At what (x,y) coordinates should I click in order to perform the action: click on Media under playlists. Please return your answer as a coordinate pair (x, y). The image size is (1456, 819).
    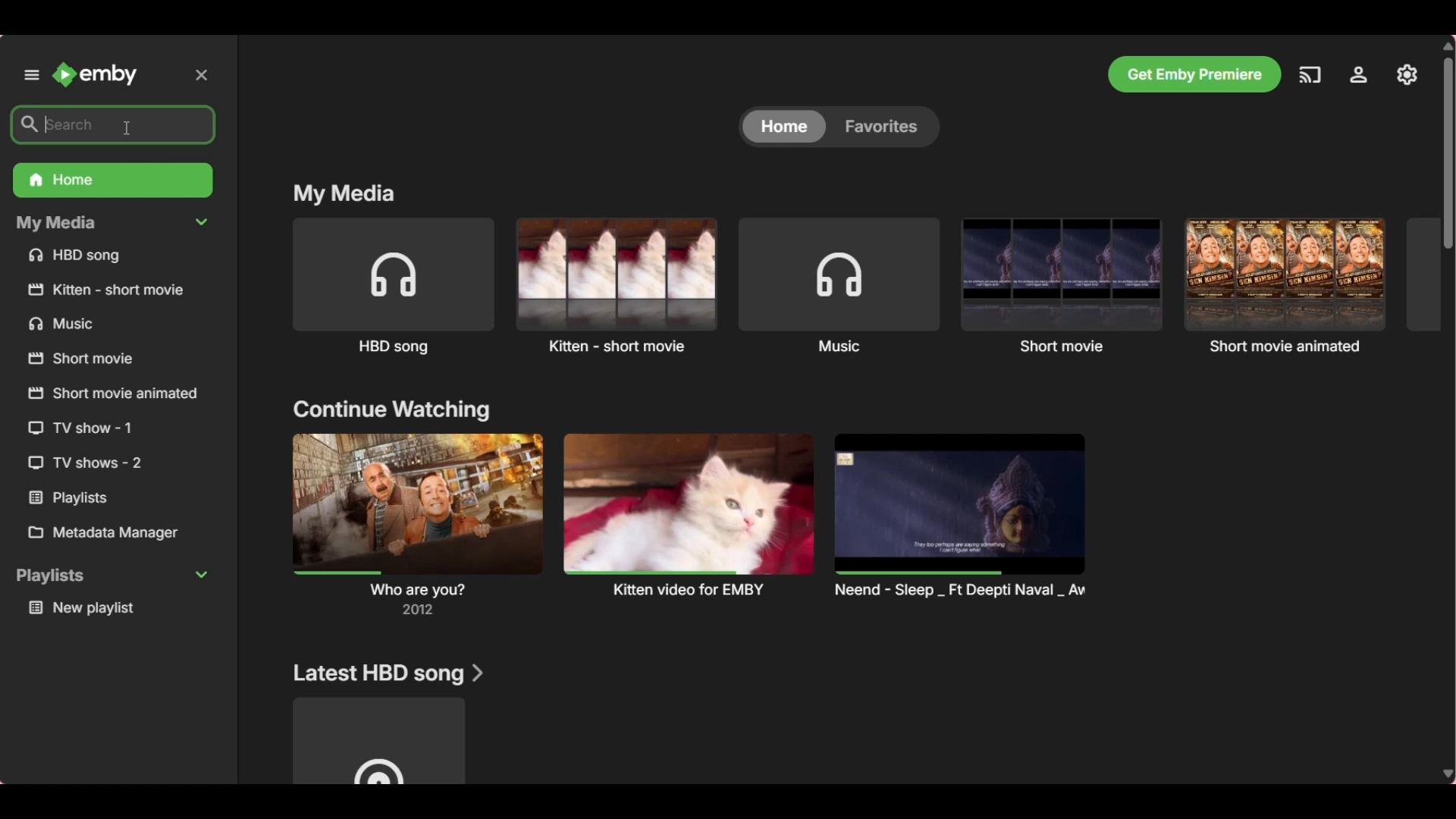
    Looking at the image, I should click on (117, 609).